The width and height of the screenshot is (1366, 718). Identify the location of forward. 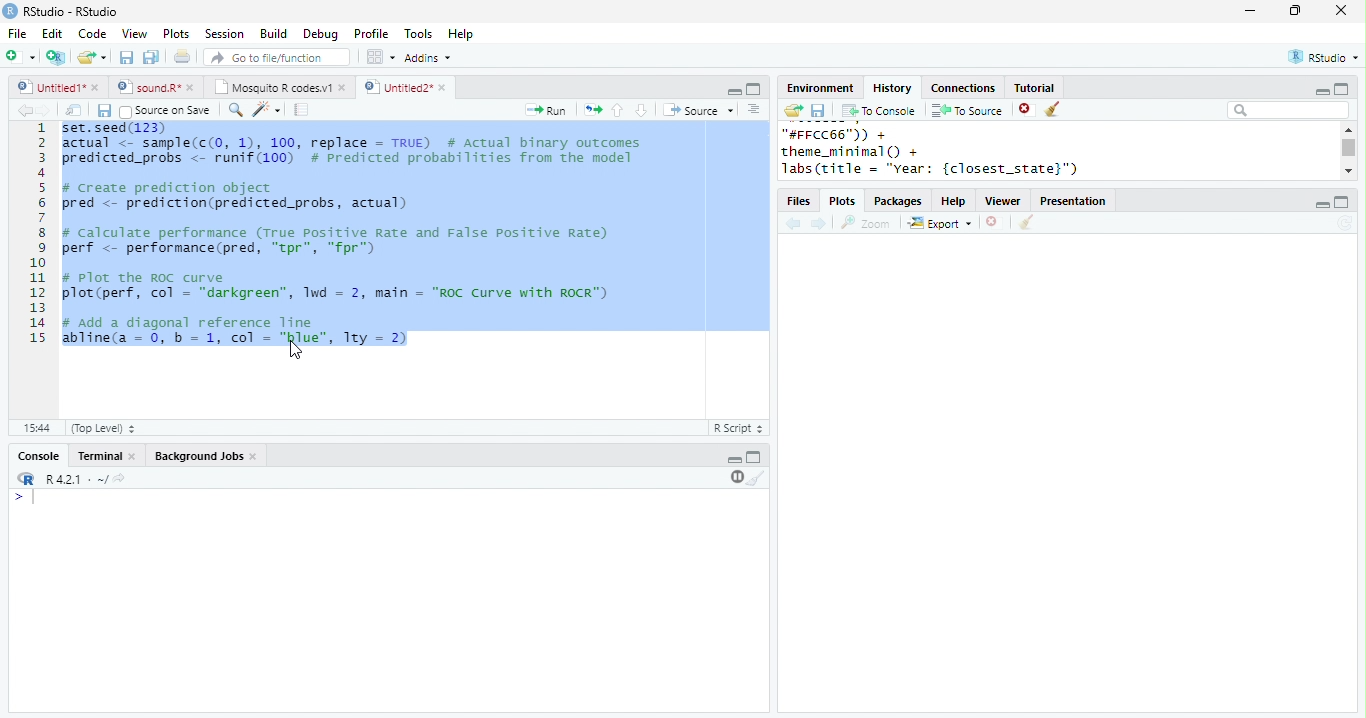
(44, 110).